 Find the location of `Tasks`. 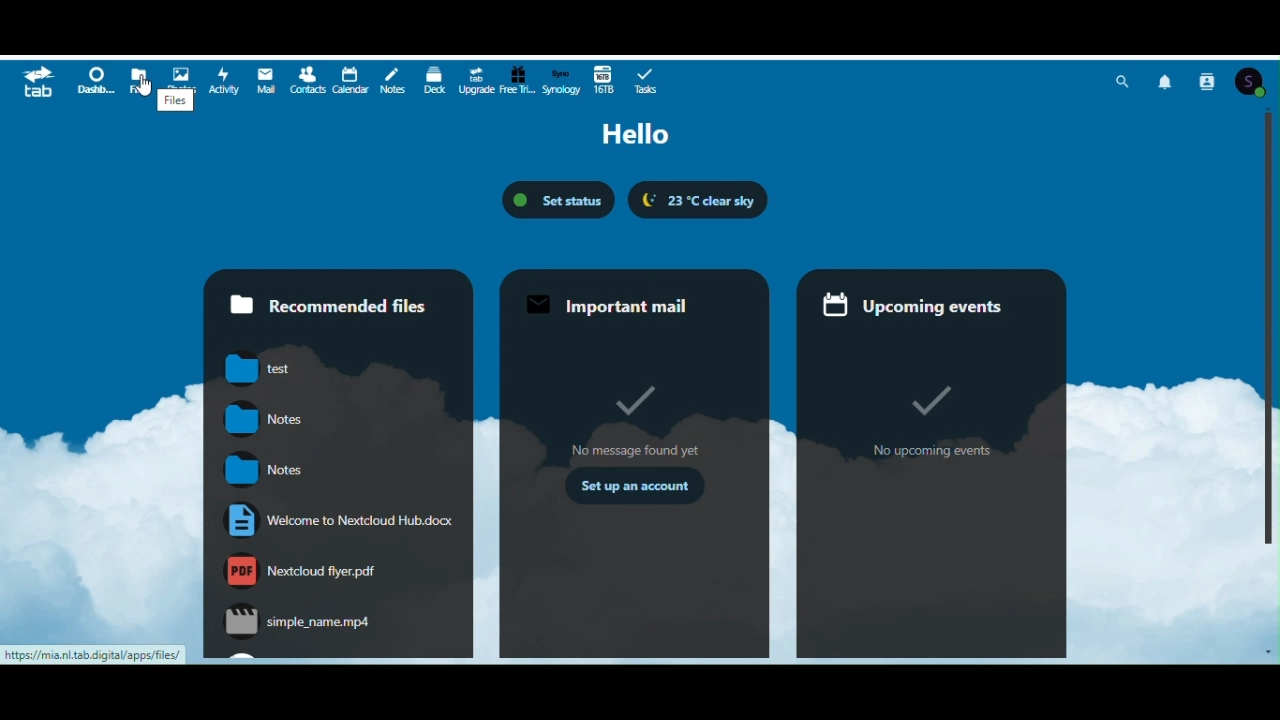

Tasks is located at coordinates (647, 82).